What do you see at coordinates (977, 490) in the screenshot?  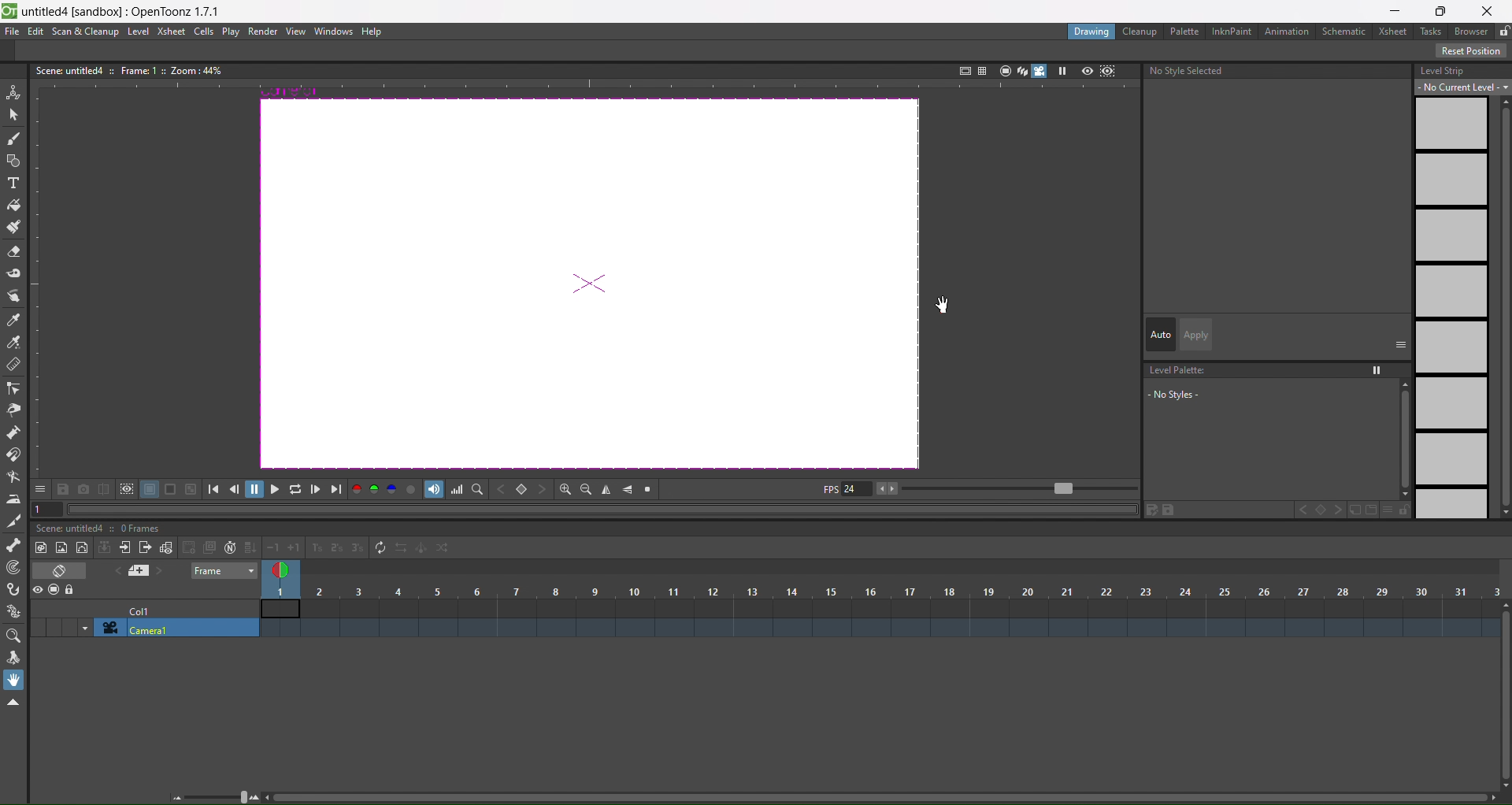 I see `FPS ` at bounding box center [977, 490].